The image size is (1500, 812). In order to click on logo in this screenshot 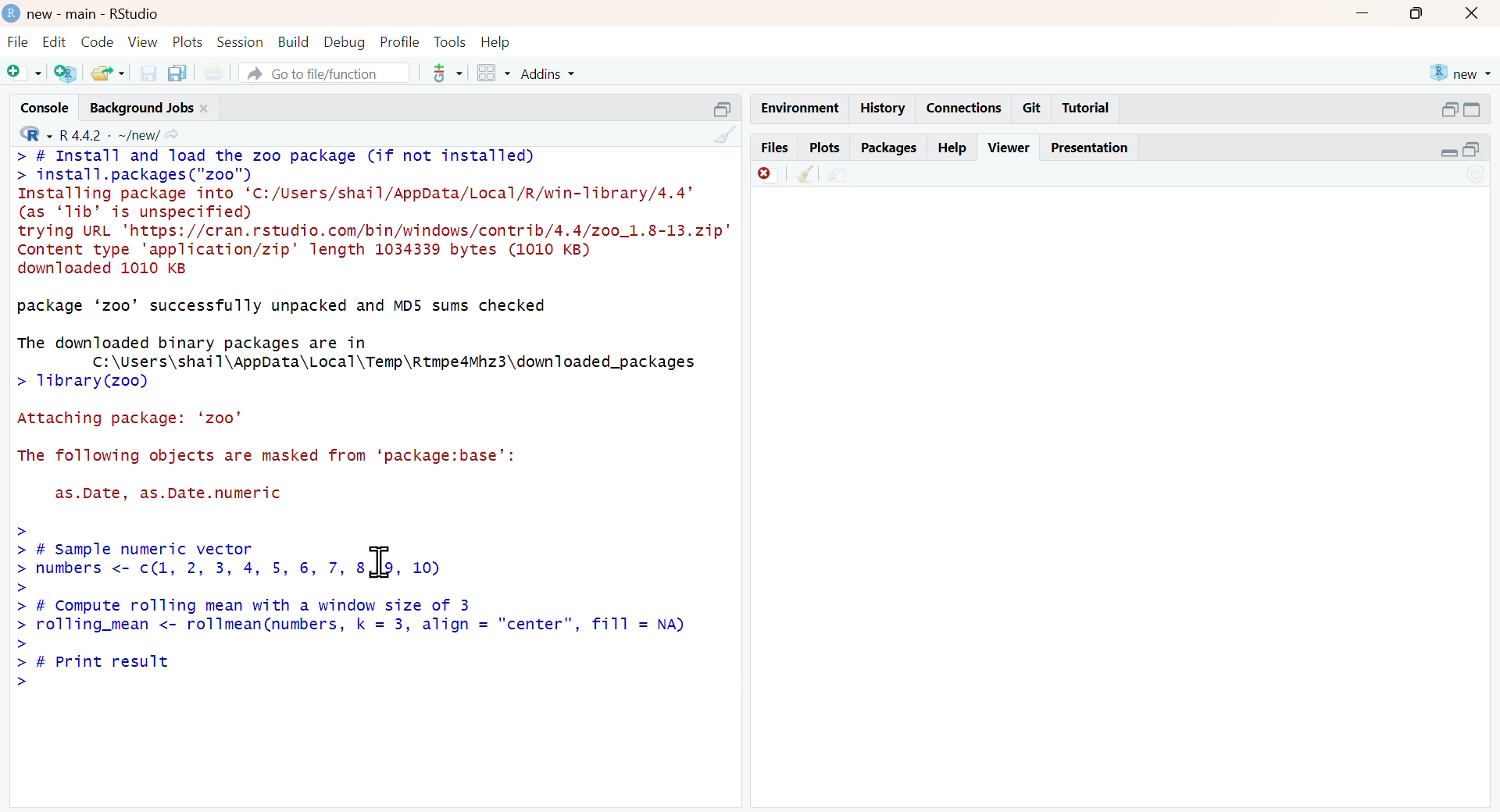, I will do `click(11, 15)`.